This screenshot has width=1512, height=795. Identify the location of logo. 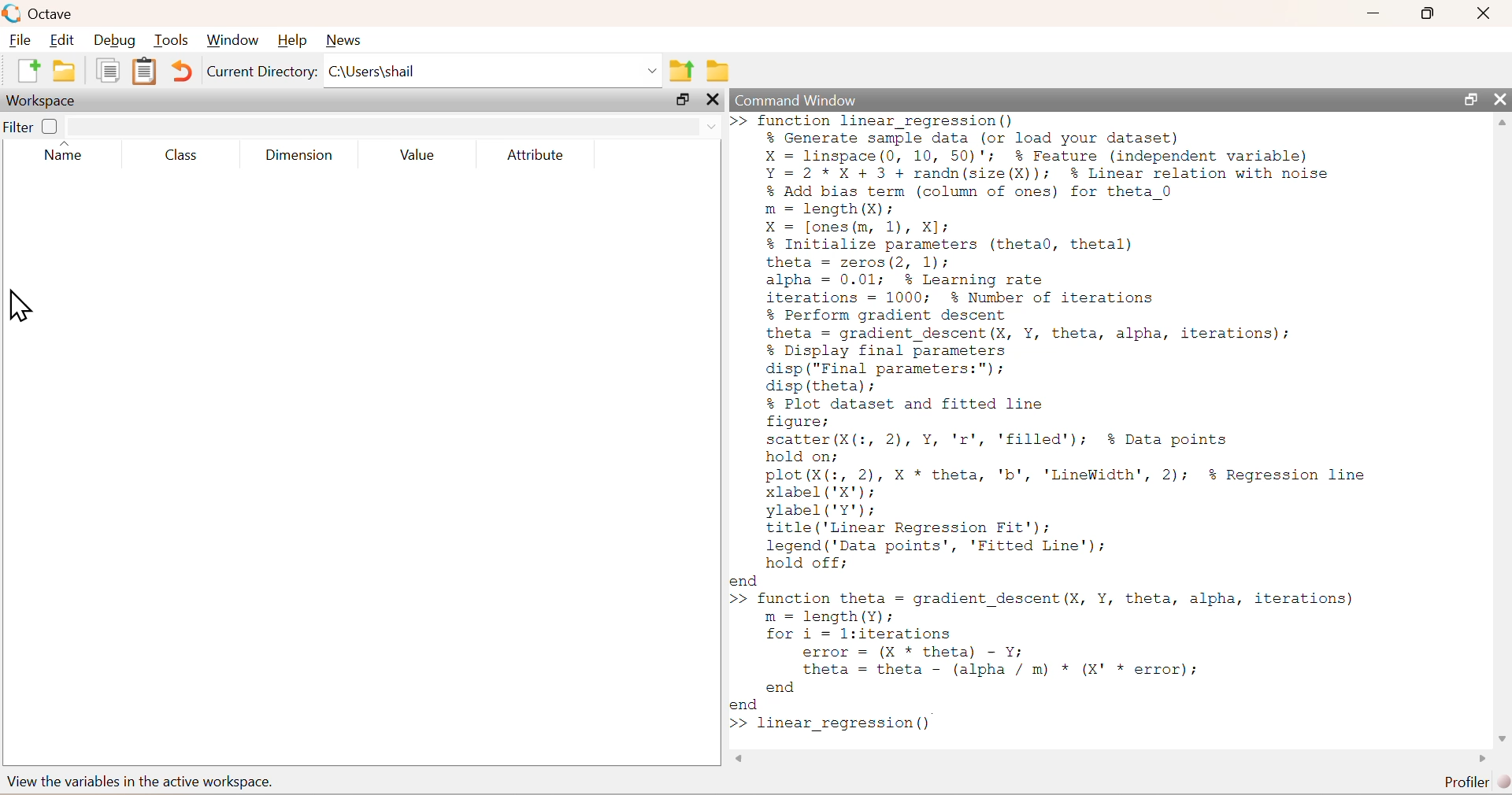
(11, 13).